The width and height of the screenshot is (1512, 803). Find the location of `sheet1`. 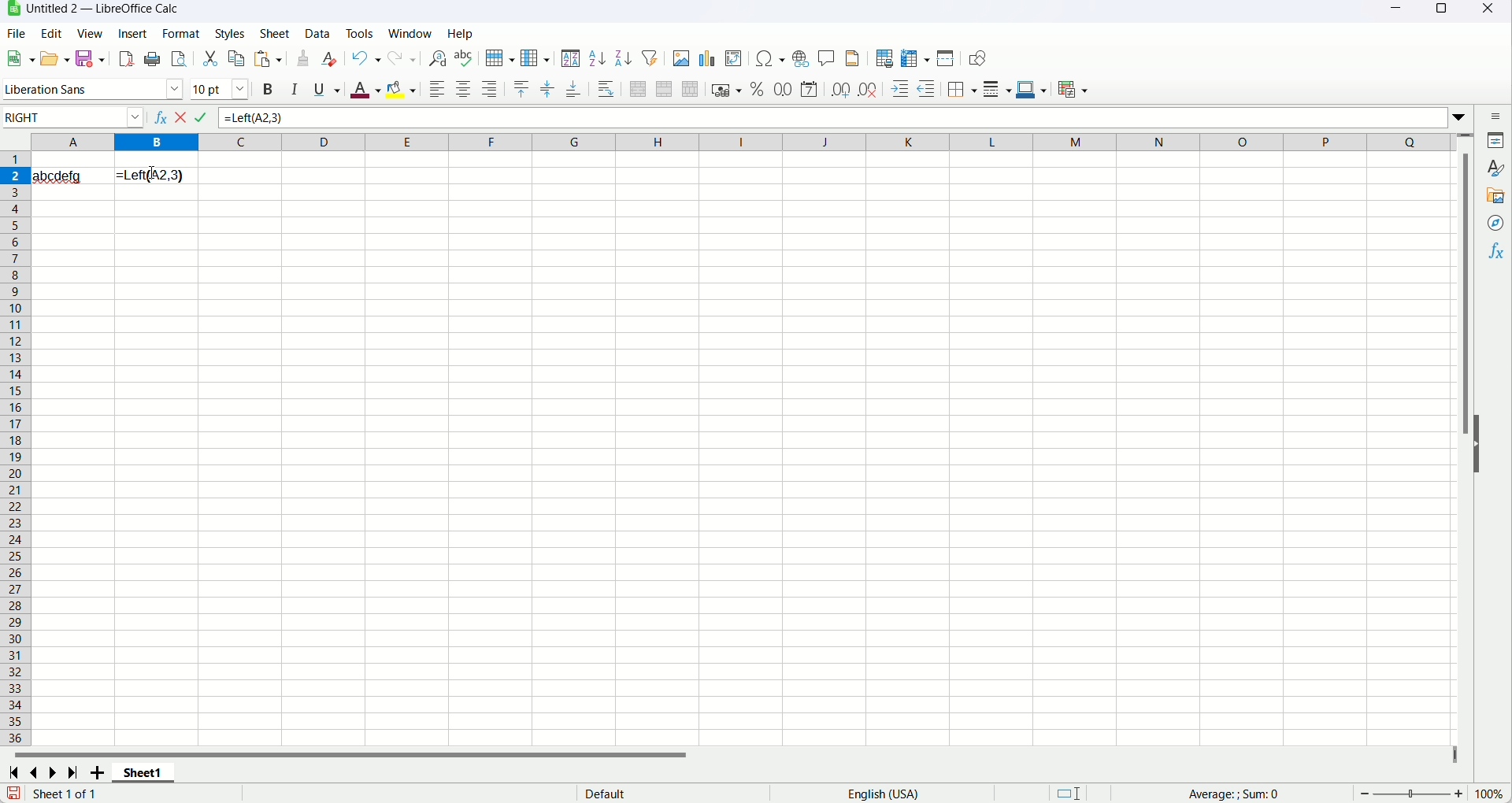

sheet1 is located at coordinates (140, 774).